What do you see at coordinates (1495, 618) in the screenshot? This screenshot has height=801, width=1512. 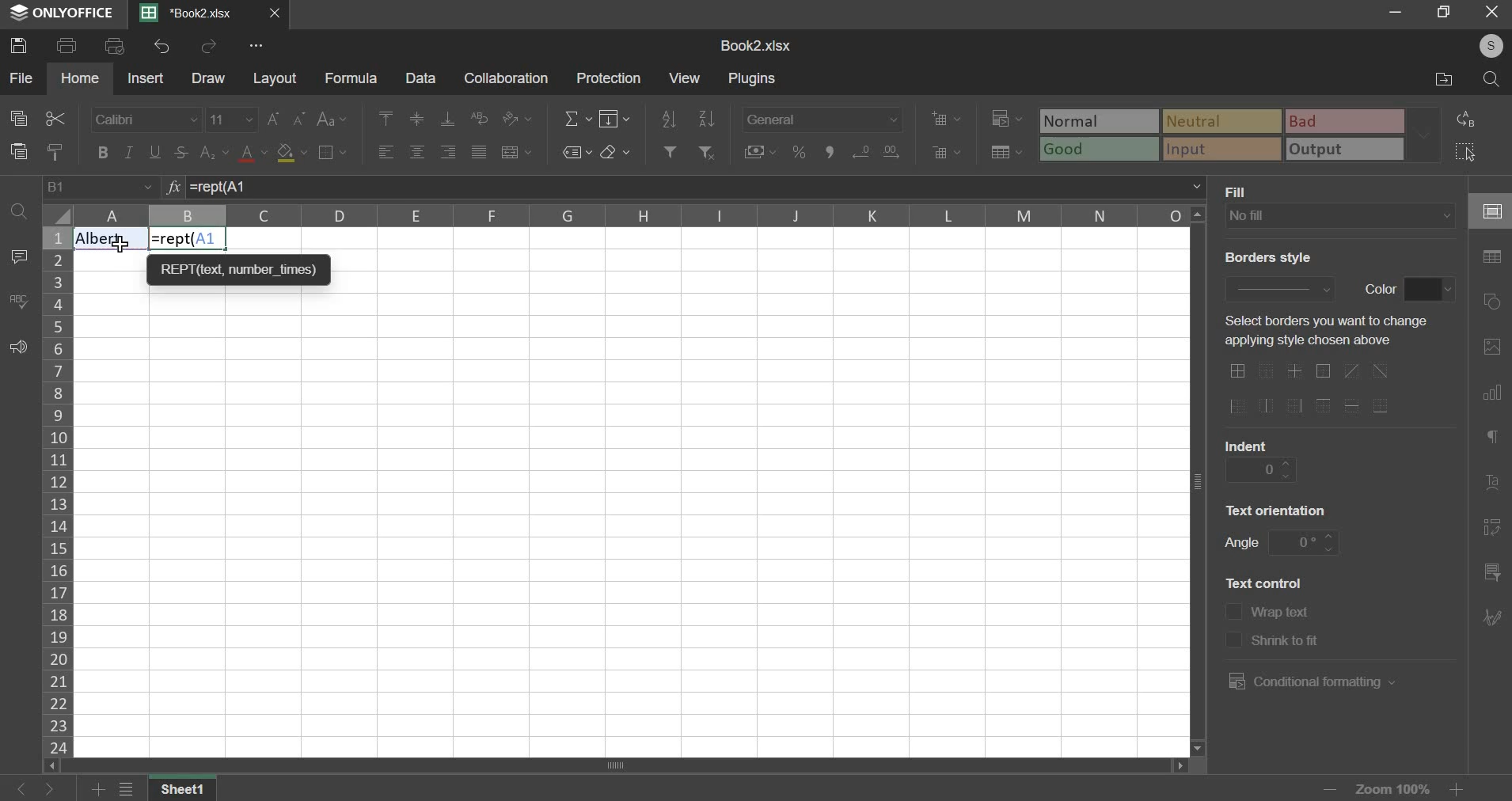 I see `` at bounding box center [1495, 618].